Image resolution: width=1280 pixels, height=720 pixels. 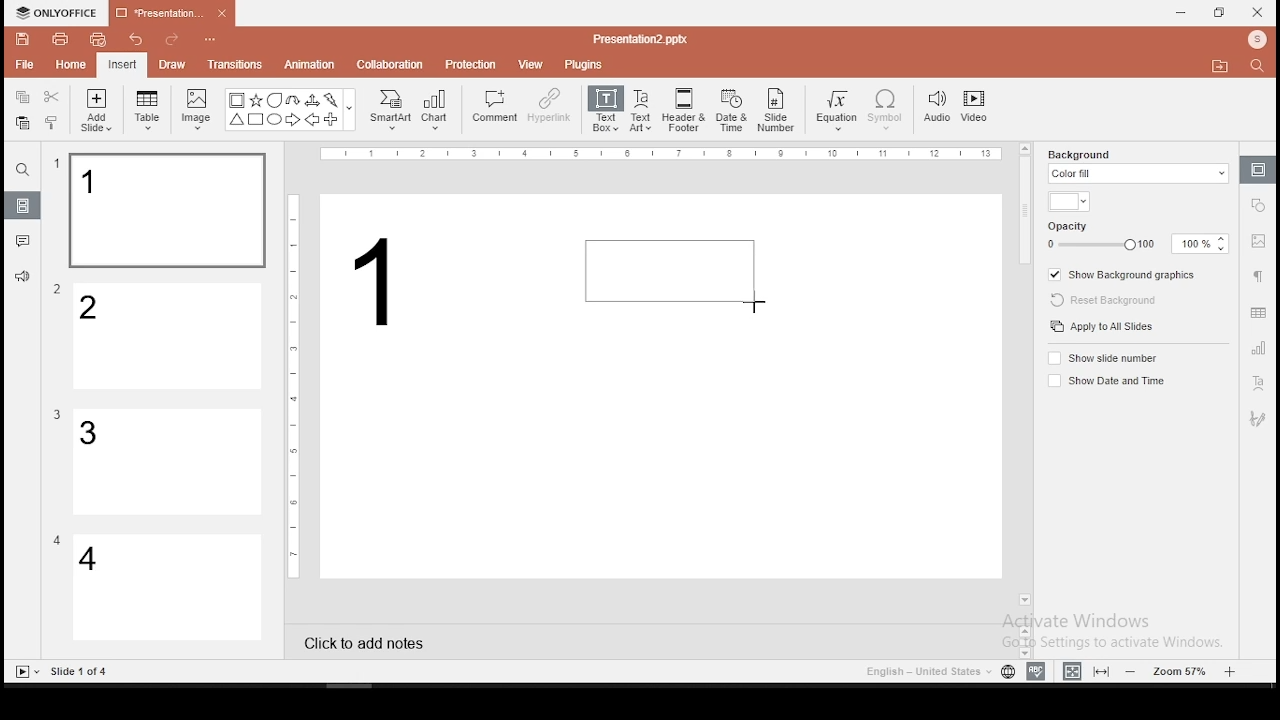 What do you see at coordinates (308, 66) in the screenshot?
I see `animation` at bounding box center [308, 66].